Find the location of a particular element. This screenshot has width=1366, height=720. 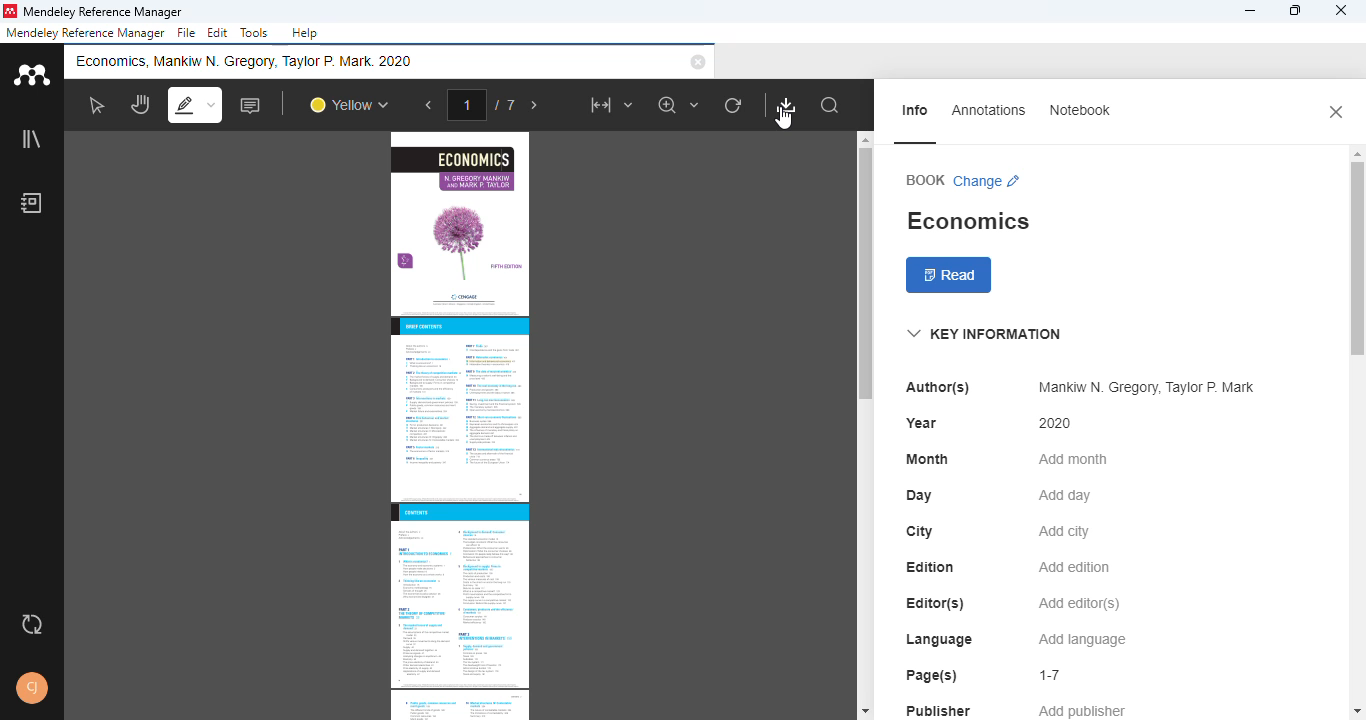

month is located at coordinates (927, 459).